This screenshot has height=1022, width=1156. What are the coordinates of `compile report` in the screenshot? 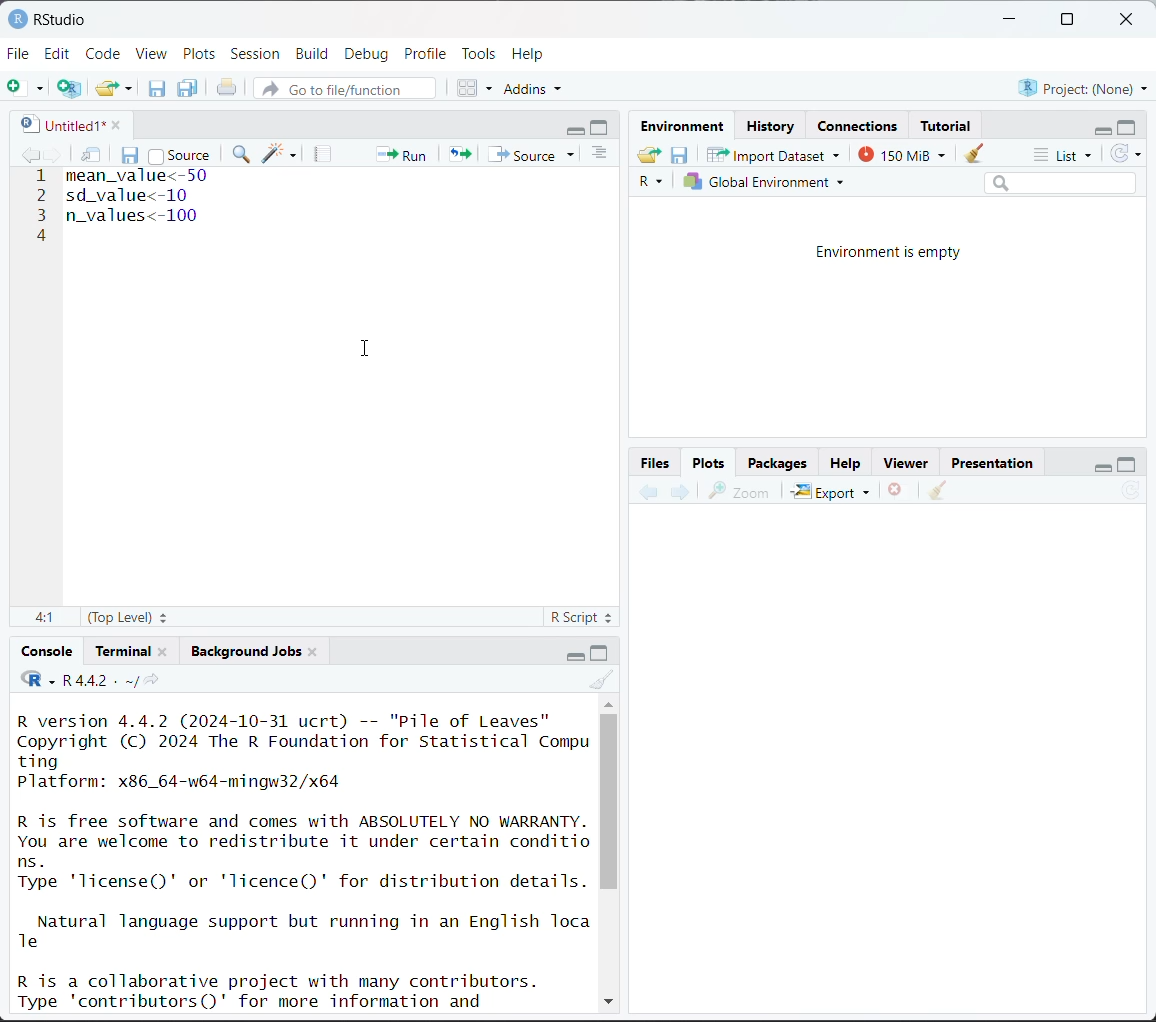 It's located at (325, 154).